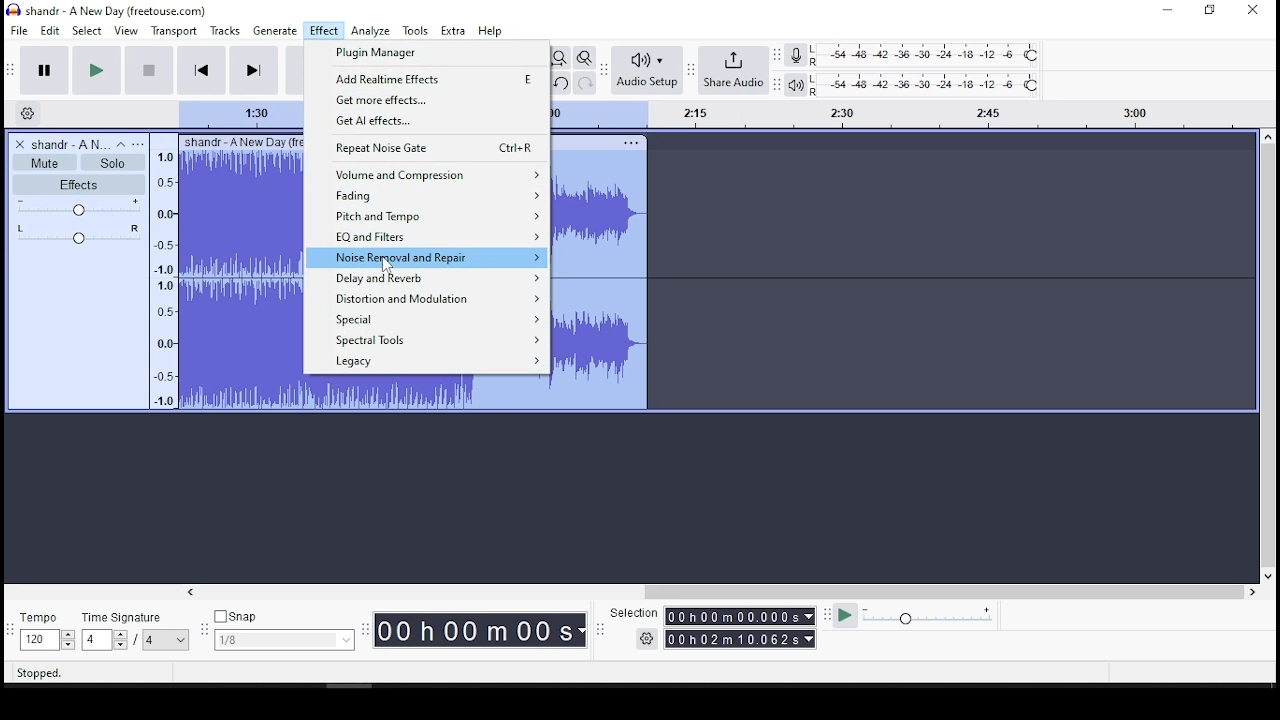  What do you see at coordinates (1255, 11) in the screenshot?
I see `close window` at bounding box center [1255, 11].